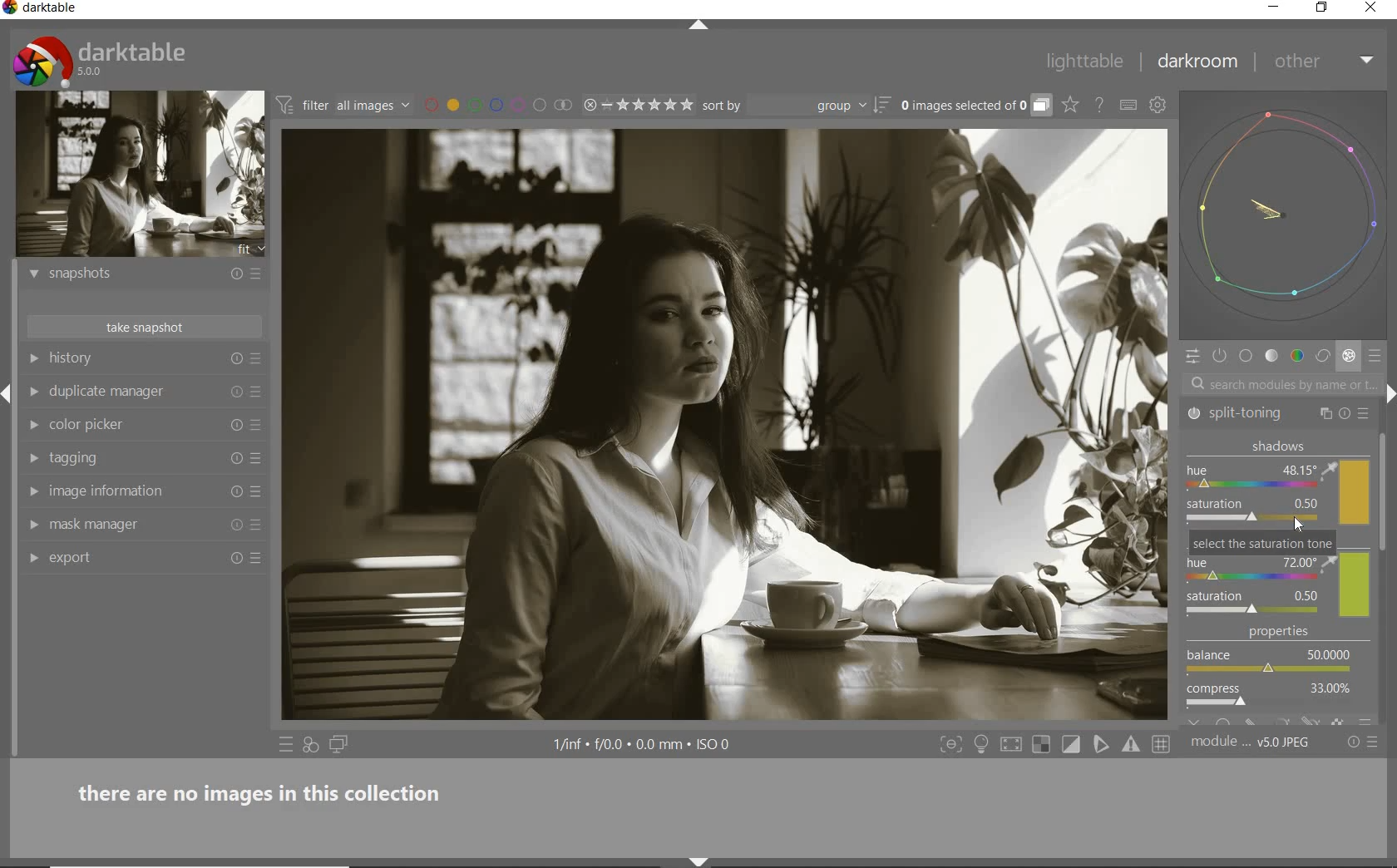 The image size is (1397, 868). Describe the element at coordinates (232, 276) in the screenshot. I see `reset` at that location.